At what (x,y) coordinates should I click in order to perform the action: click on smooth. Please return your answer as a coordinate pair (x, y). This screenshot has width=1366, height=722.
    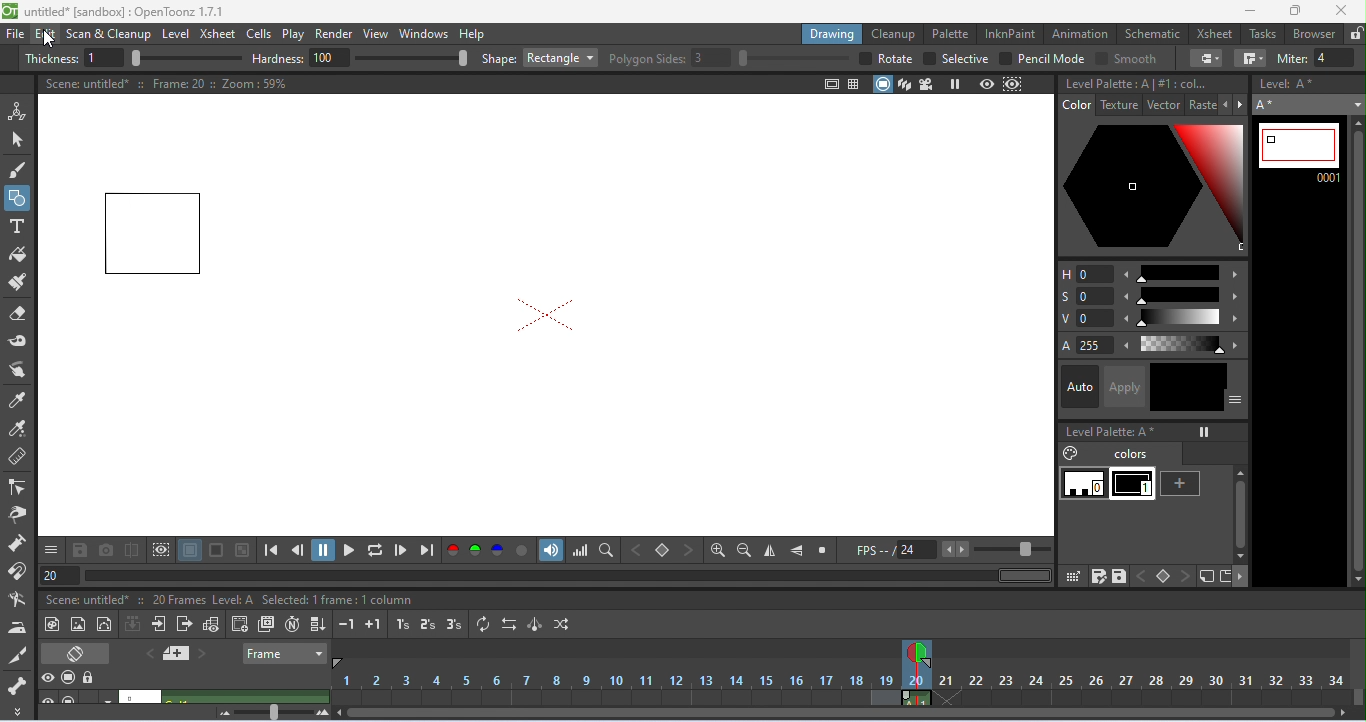
    Looking at the image, I should click on (1123, 59).